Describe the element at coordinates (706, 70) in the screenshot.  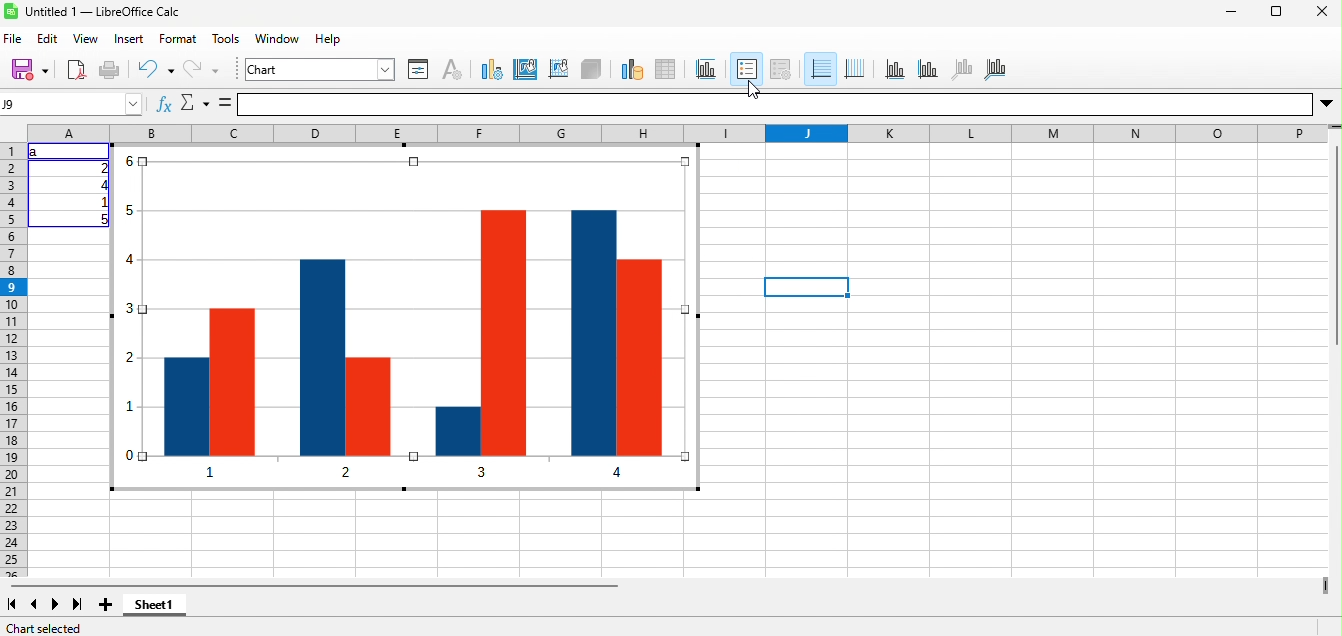
I see `title` at that location.